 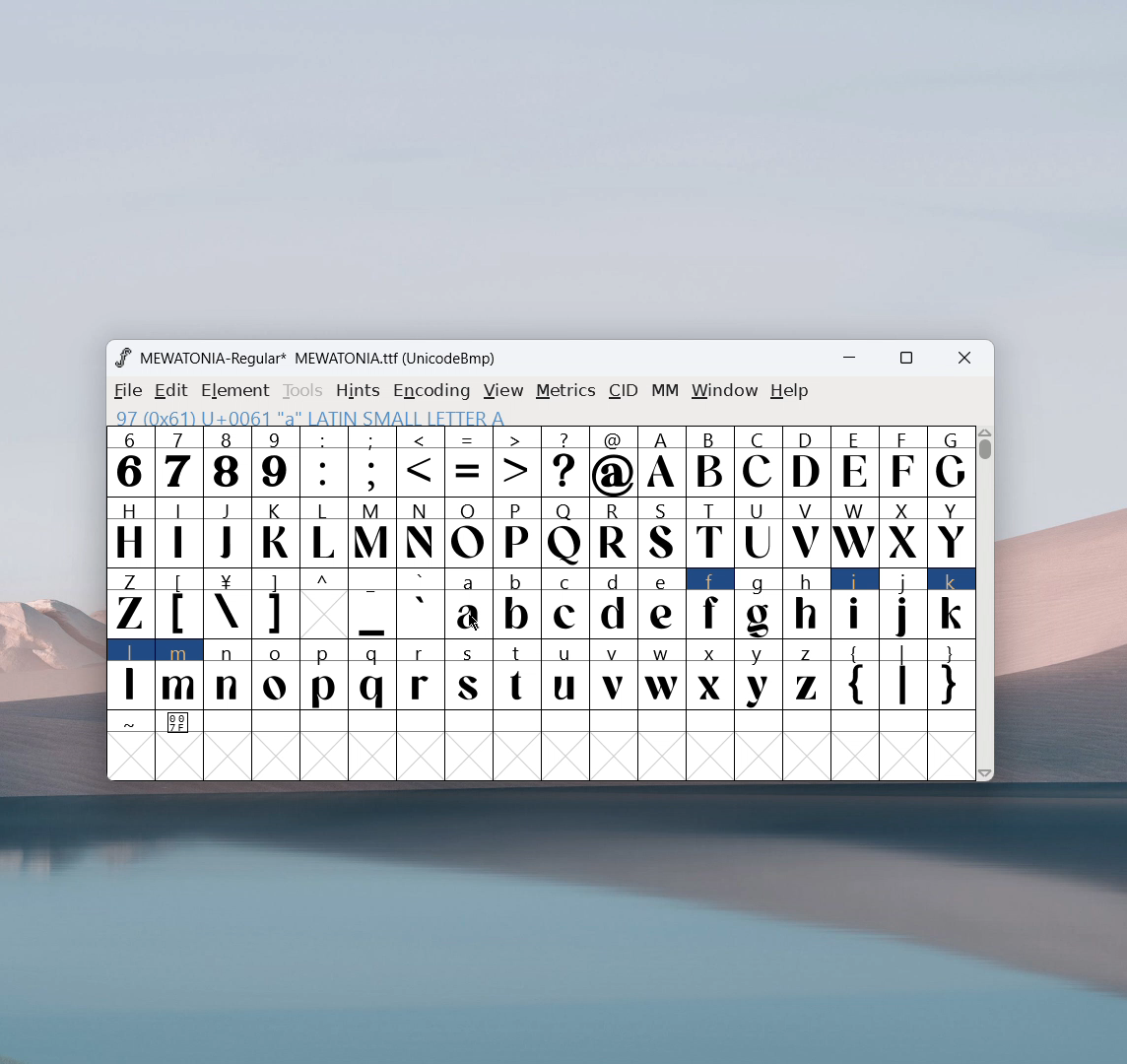 I want to click on A, so click(x=663, y=462).